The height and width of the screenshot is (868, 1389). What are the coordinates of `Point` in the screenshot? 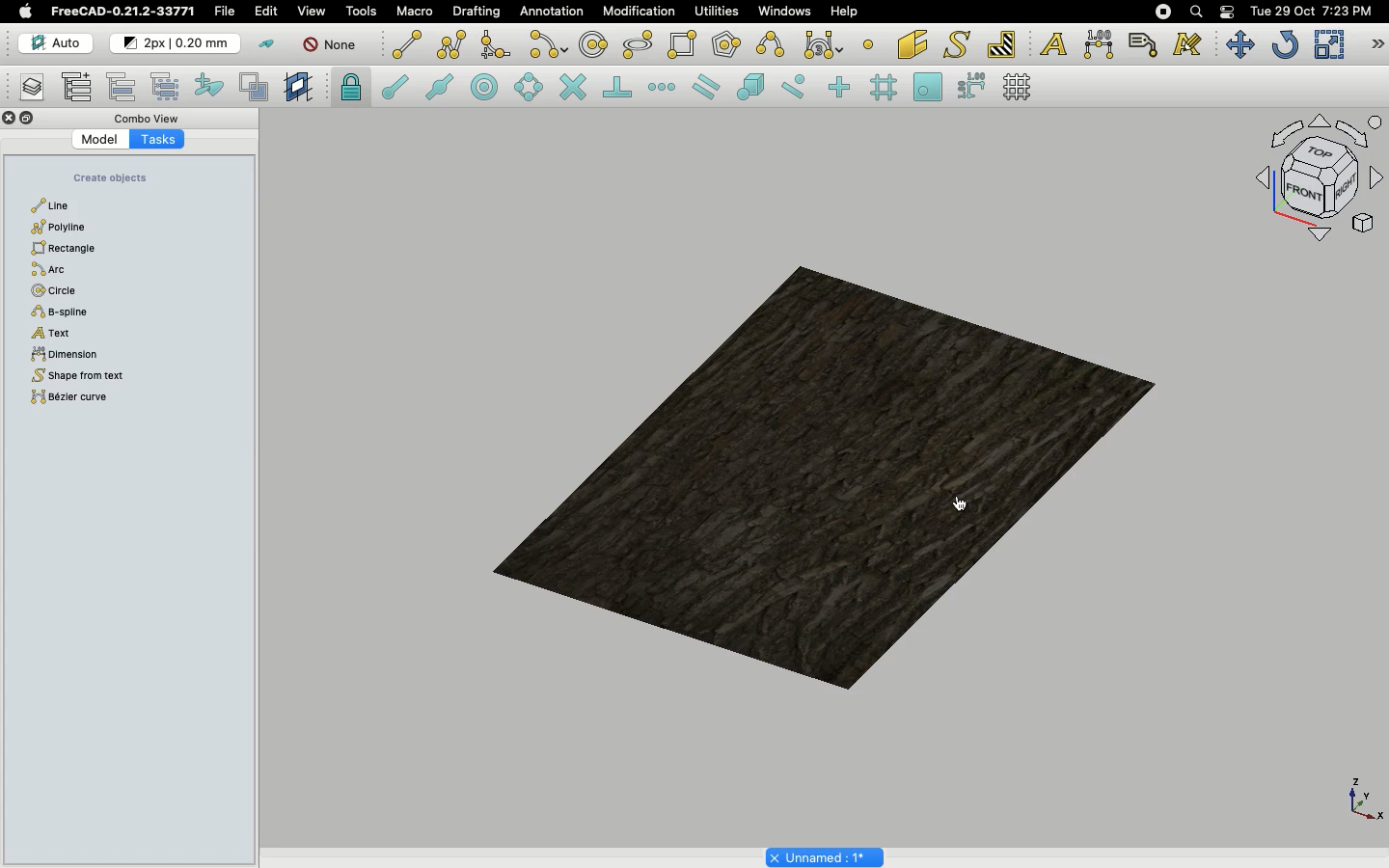 It's located at (872, 43).